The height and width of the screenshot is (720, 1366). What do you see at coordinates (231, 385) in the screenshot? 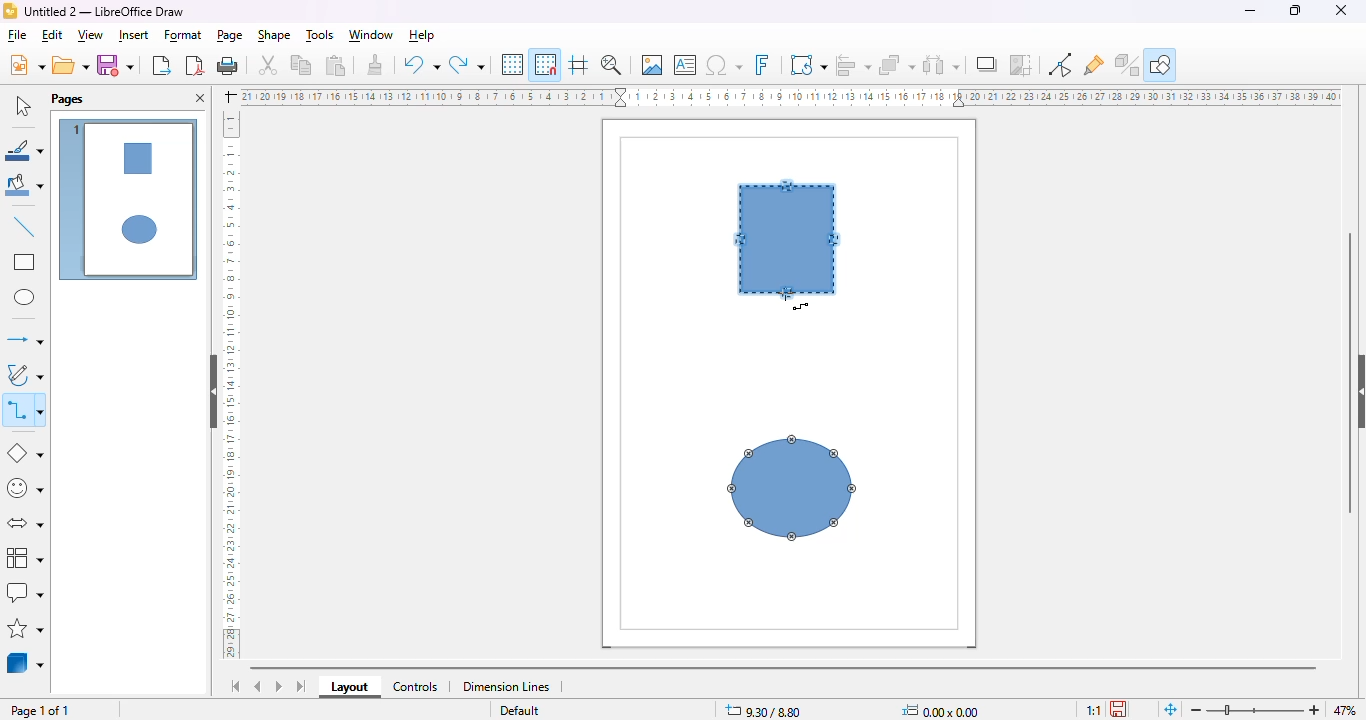
I see `ruler` at bounding box center [231, 385].